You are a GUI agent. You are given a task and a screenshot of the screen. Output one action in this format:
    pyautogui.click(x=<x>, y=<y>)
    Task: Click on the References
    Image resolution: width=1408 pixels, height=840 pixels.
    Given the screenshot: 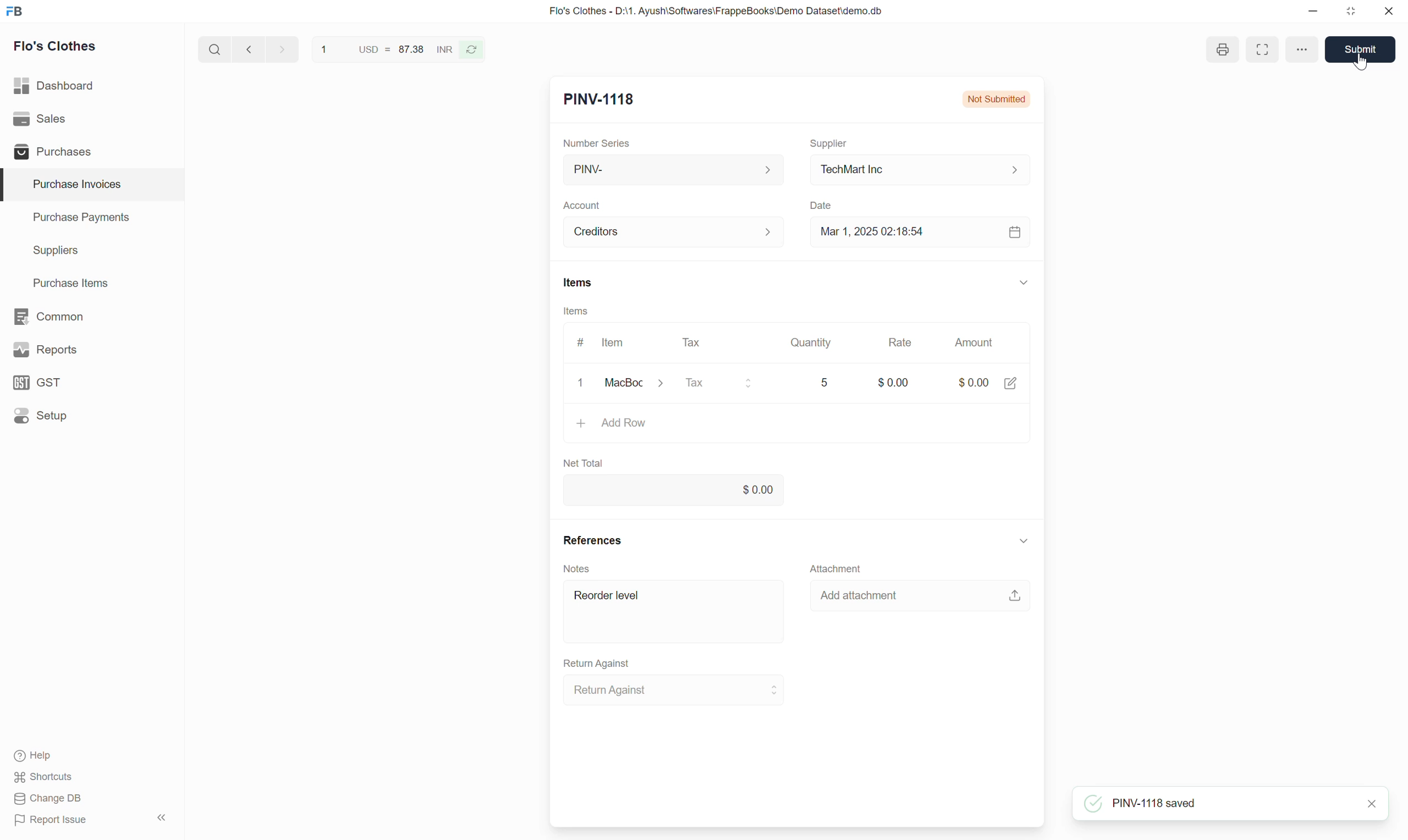 What is the action you would take?
    pyautogui.click(x=593, y=540)
    